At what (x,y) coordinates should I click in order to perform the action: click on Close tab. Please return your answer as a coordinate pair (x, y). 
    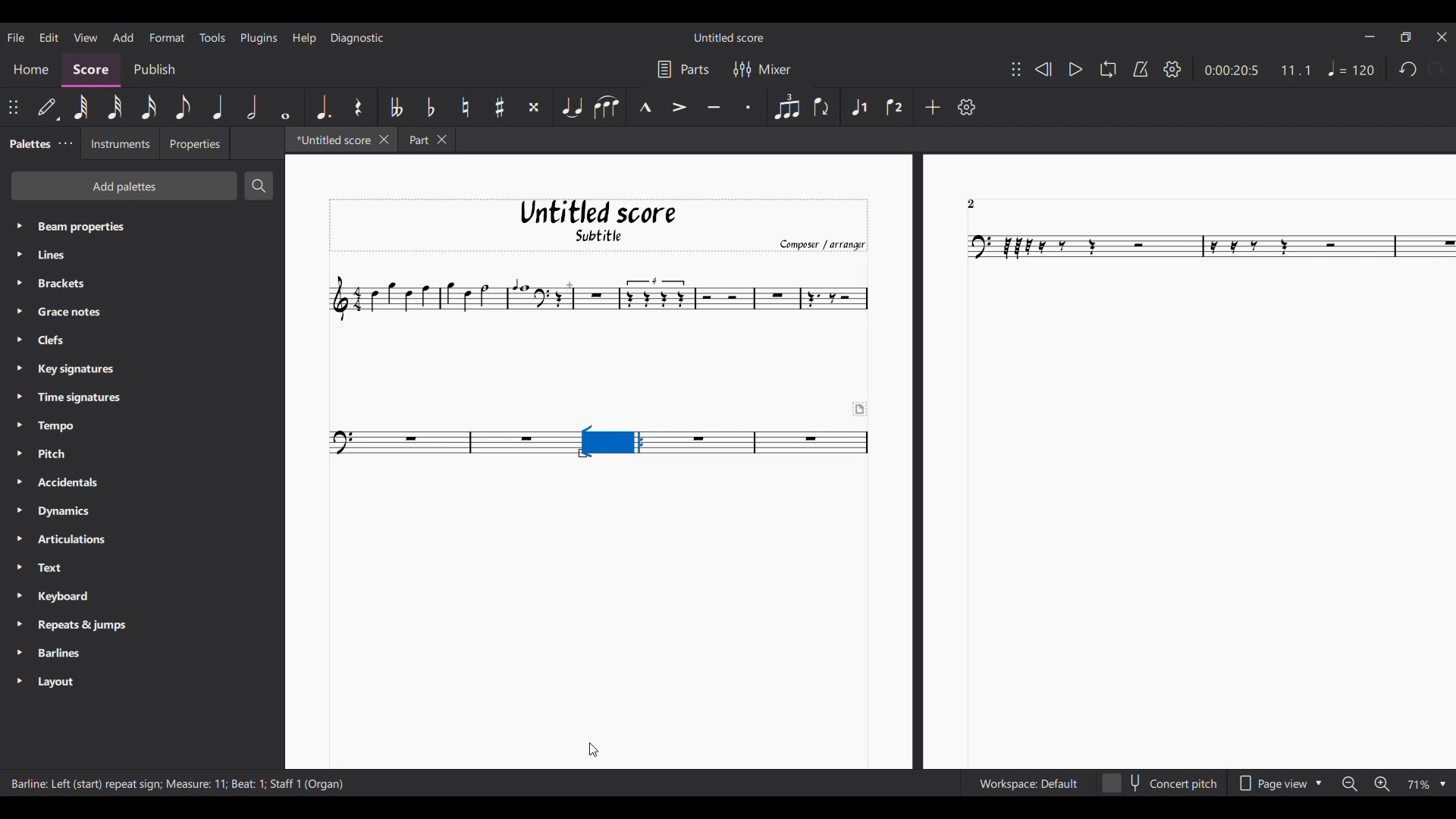
    Looking at the image, I should click on (384, 140).